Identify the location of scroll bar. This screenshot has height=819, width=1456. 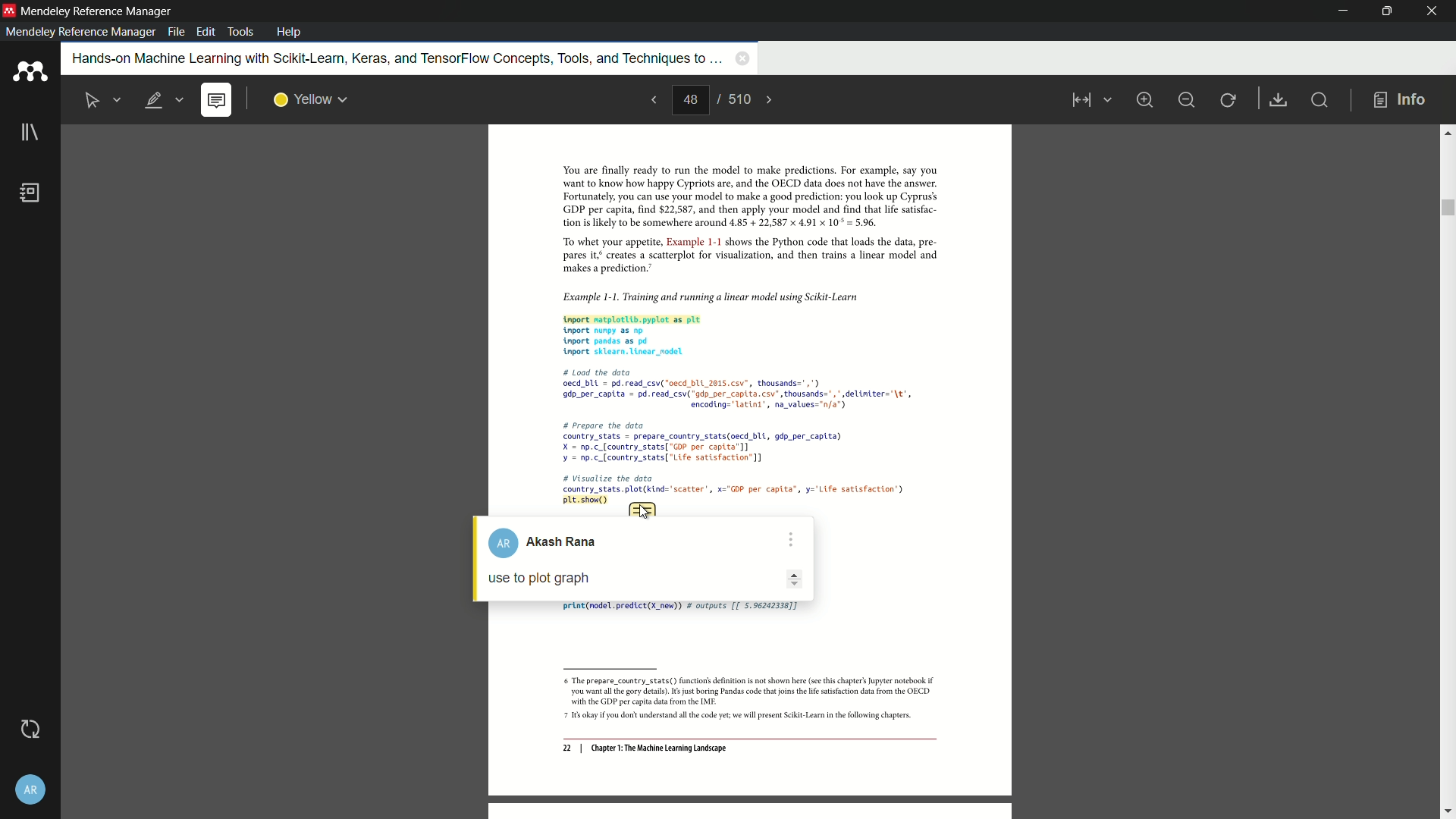
(1446, 208).